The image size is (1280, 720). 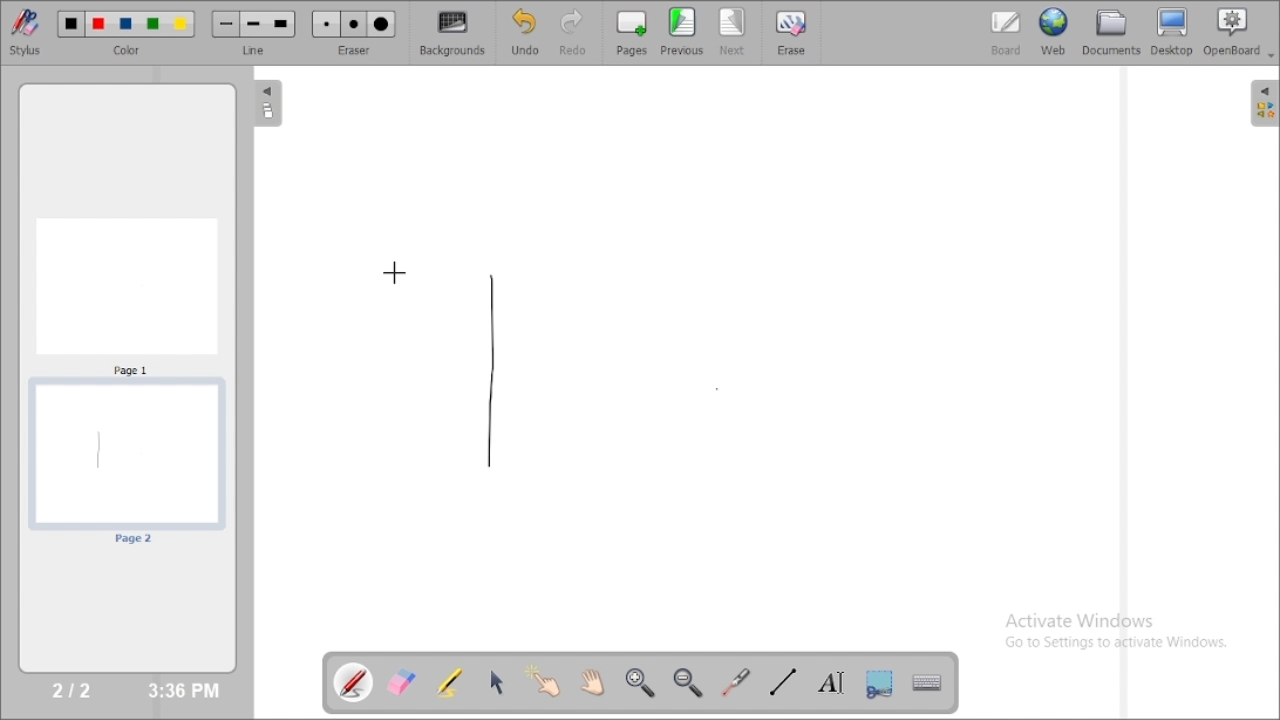 I want to click on color, so click(x=130, y=51).